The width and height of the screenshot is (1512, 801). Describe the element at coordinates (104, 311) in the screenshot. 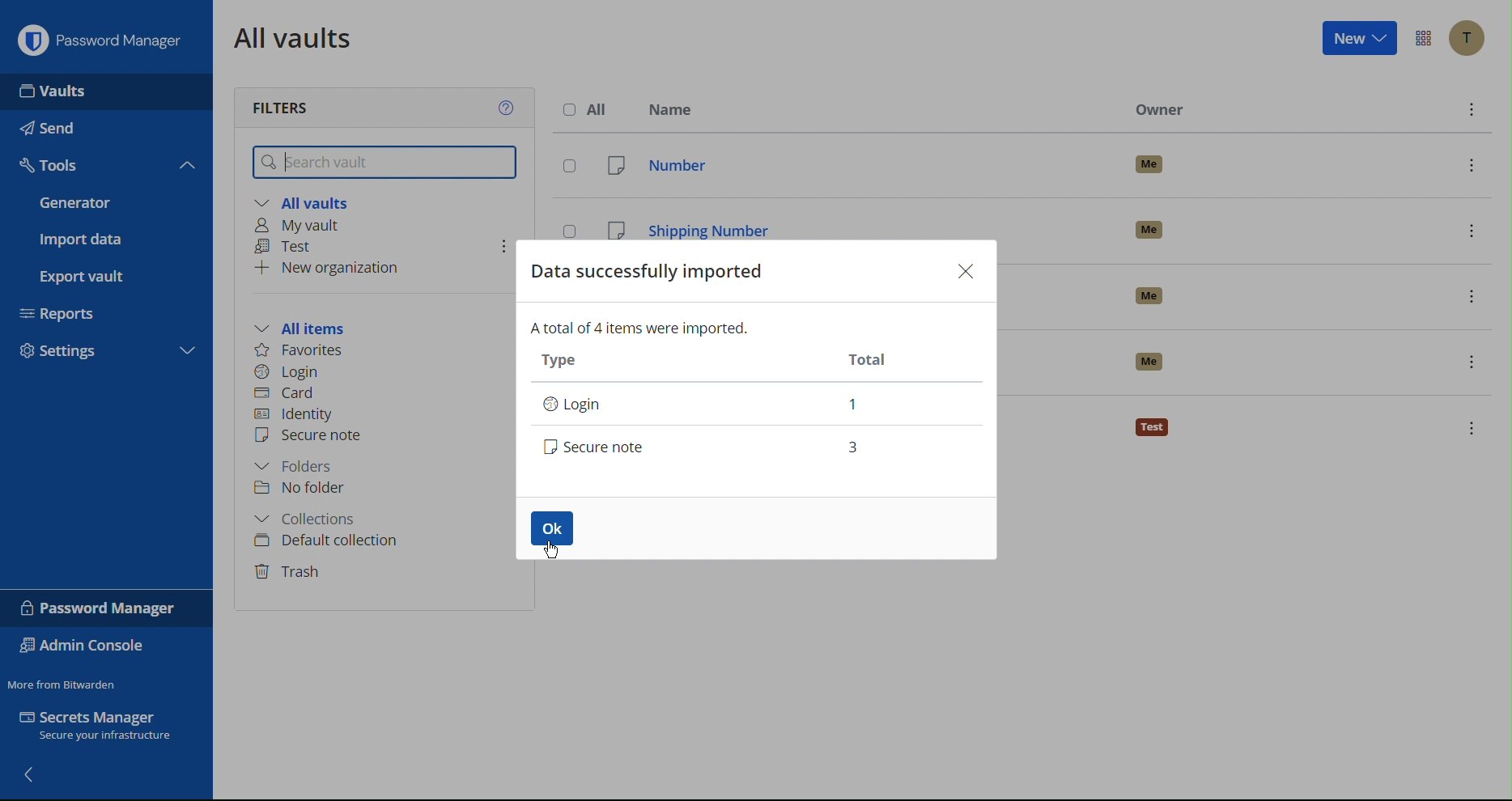

I see `Reports` at that location.